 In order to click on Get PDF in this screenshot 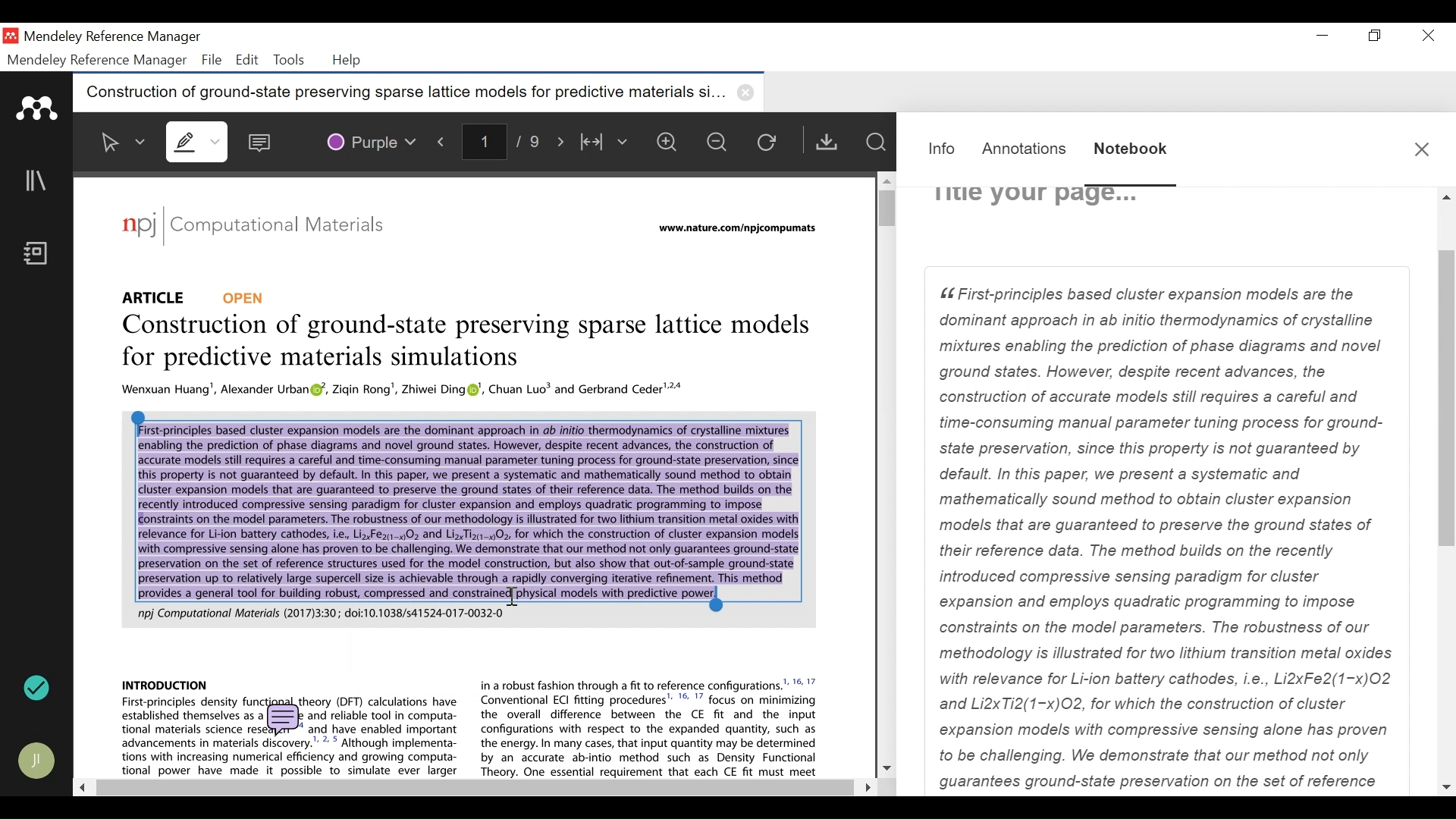, I will do `click(826, 141)`.